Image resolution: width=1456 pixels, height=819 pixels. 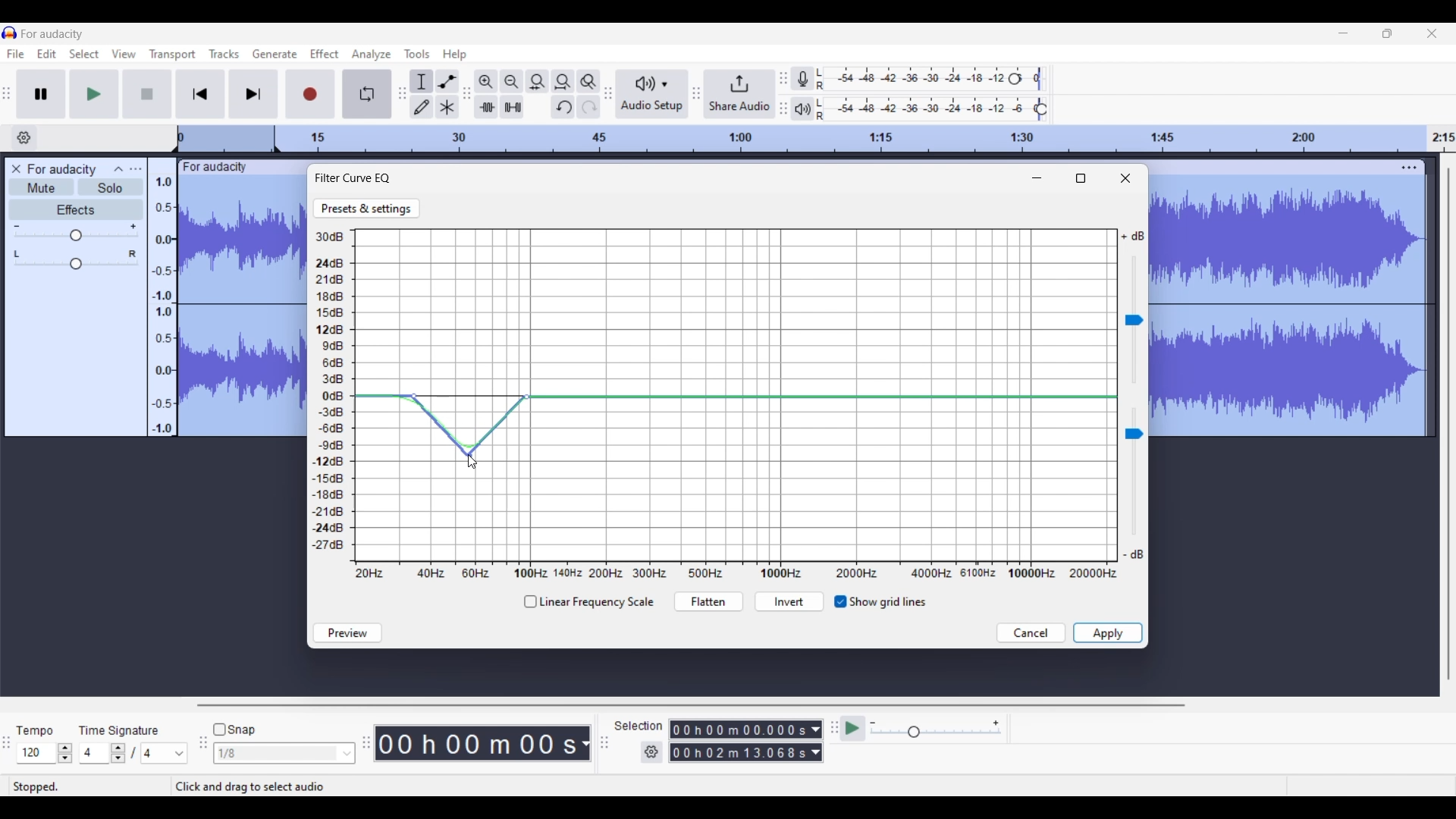 I want to click on Change sound, so click(x=1134, y=320).